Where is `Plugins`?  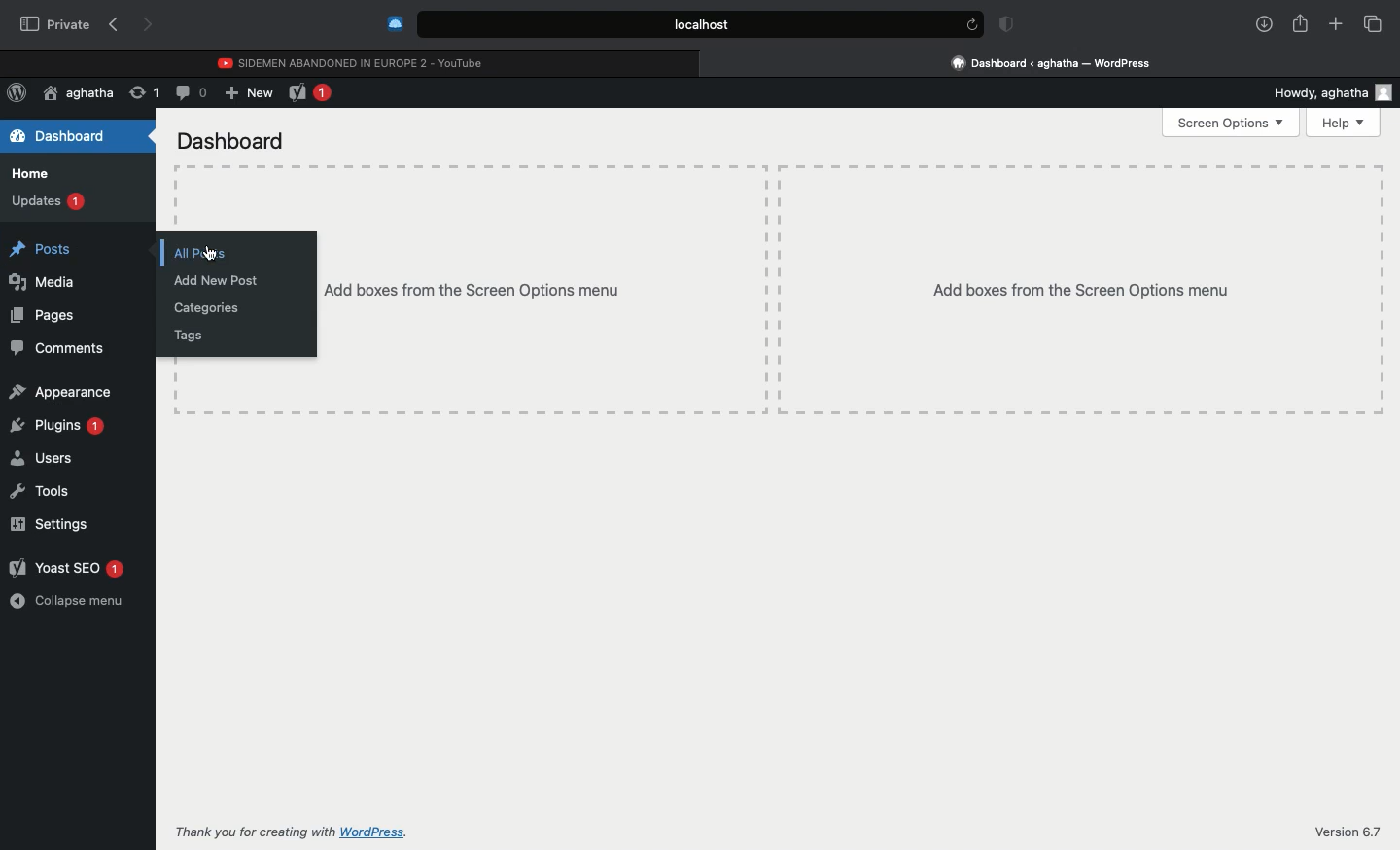 Plugins is located at coordinates (54, 431).